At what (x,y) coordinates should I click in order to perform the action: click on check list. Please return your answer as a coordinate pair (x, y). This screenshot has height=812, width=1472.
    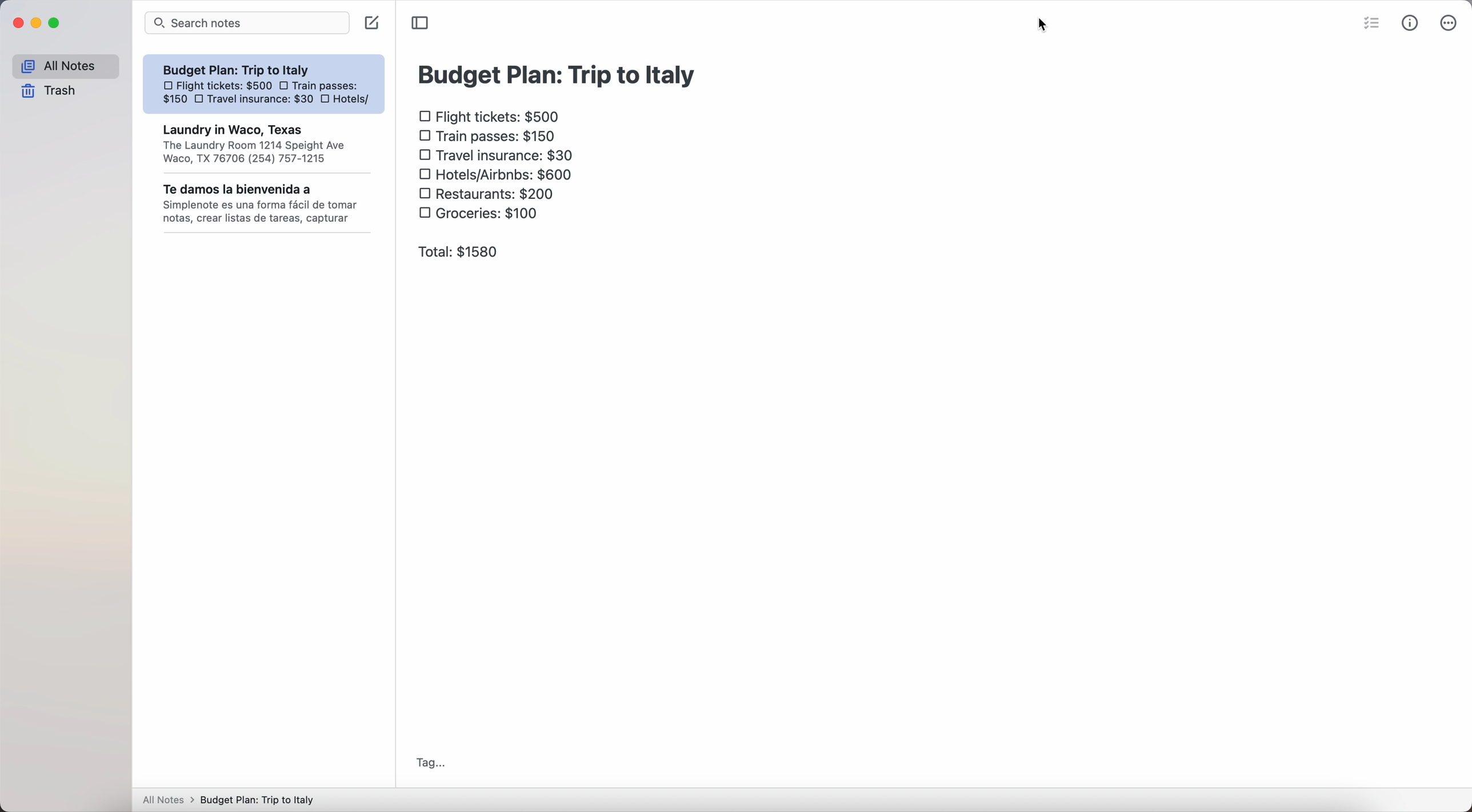
    Looking at the image, I should click on (1374, 22).